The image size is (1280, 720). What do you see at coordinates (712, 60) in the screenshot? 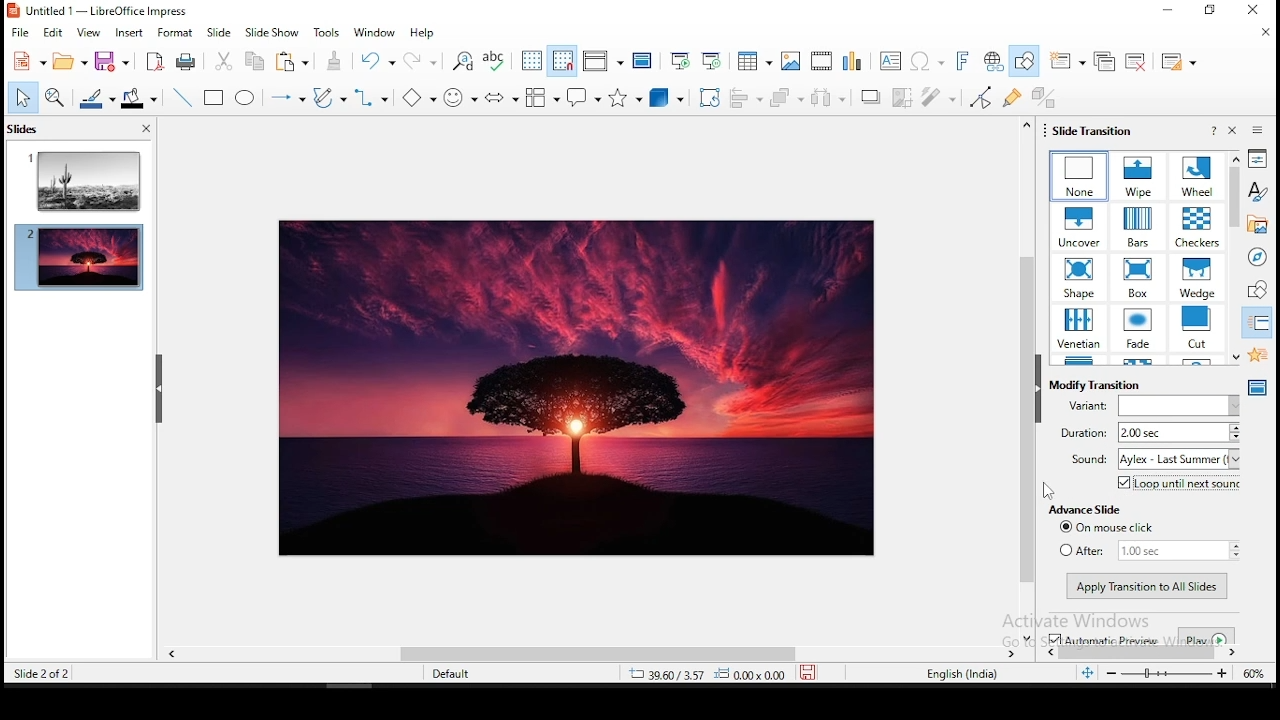
I see `start from current slide` at bounding box center [712, 60].